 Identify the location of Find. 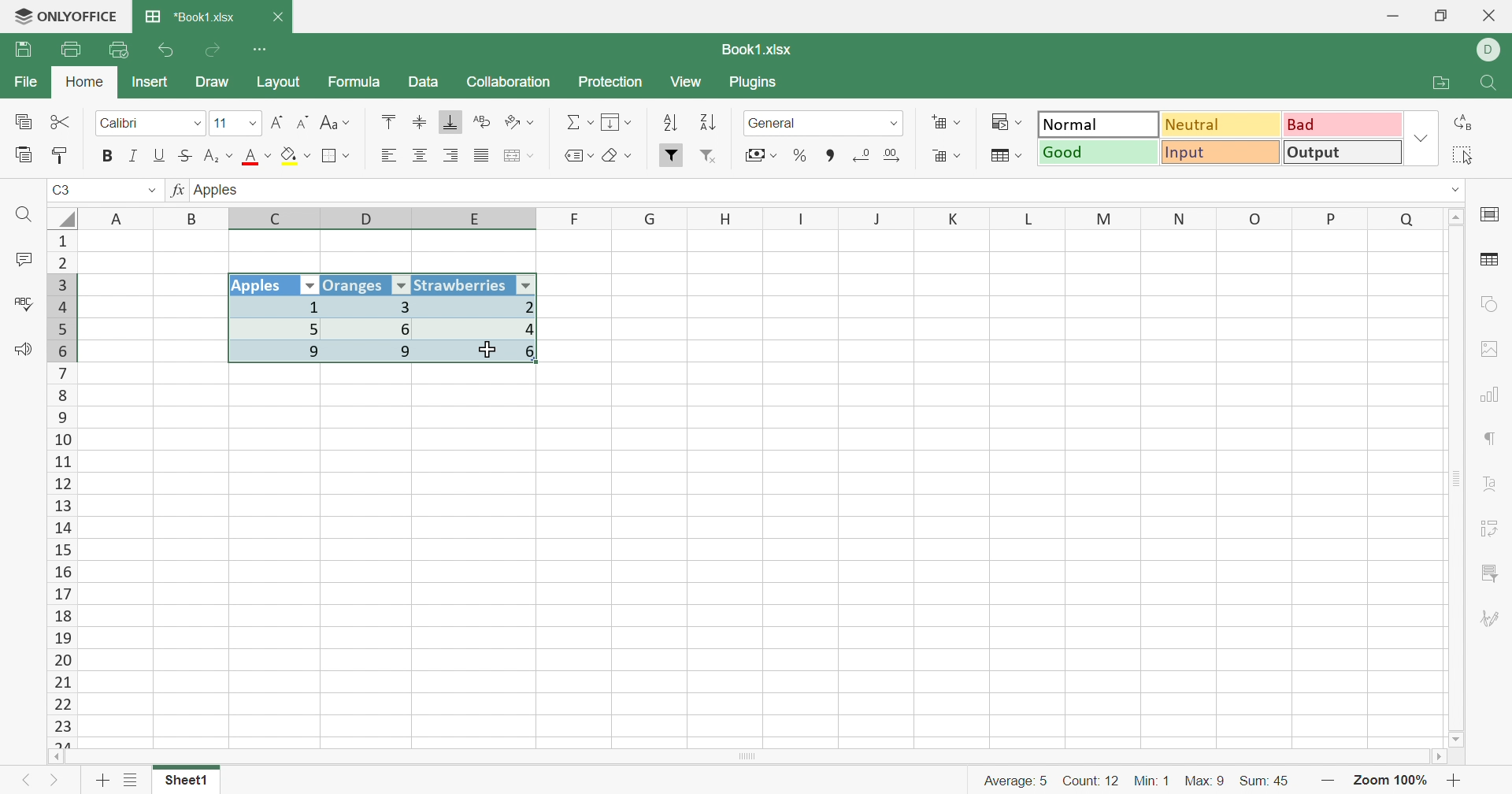
(27, 216).